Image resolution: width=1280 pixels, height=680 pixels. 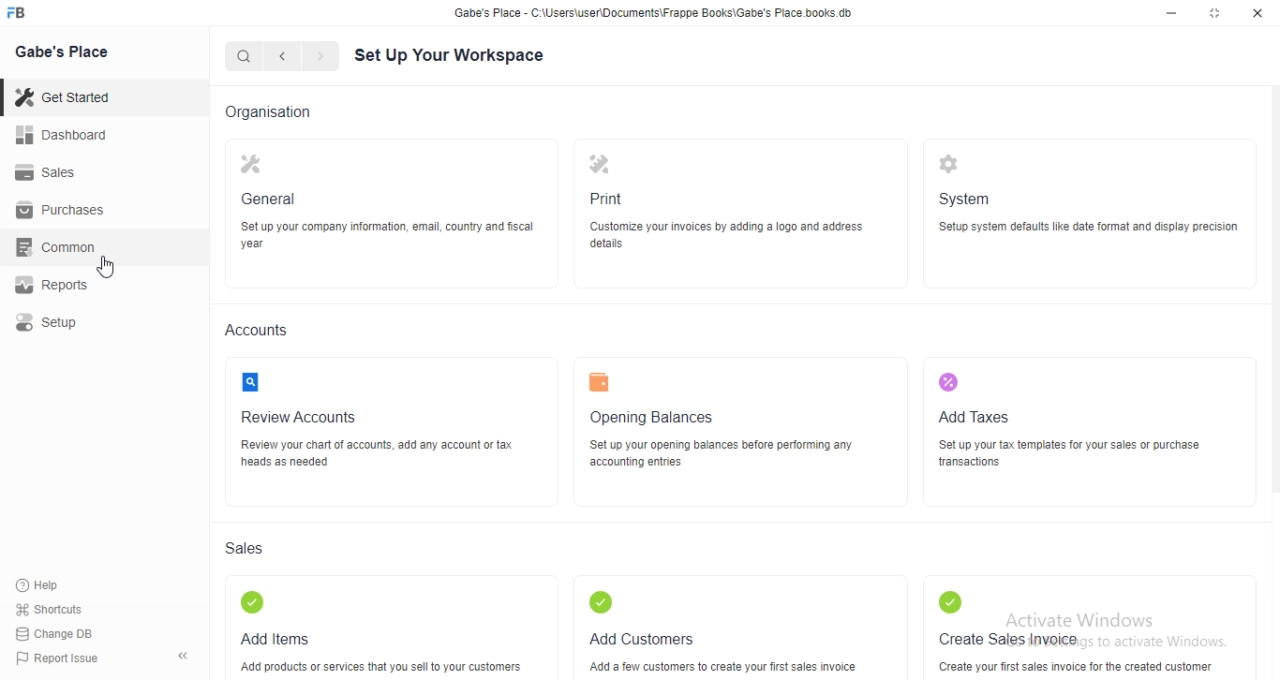 What do you see at coordinates (979, 418) in the screenshot?
I see `Add Taxes` at bounding box center [979, 418].